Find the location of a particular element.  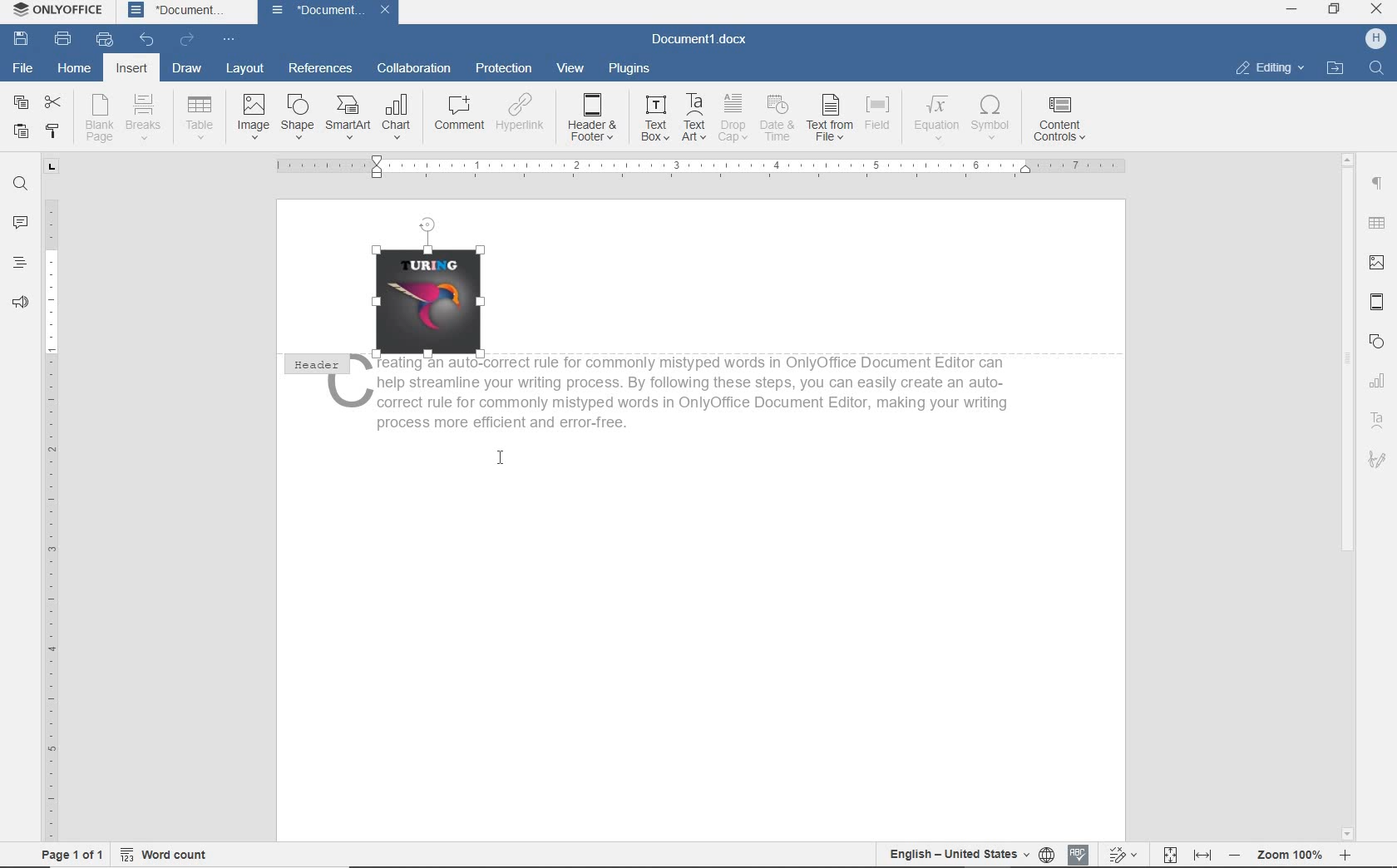

LAYOUT is located at coordinates (245, 68).